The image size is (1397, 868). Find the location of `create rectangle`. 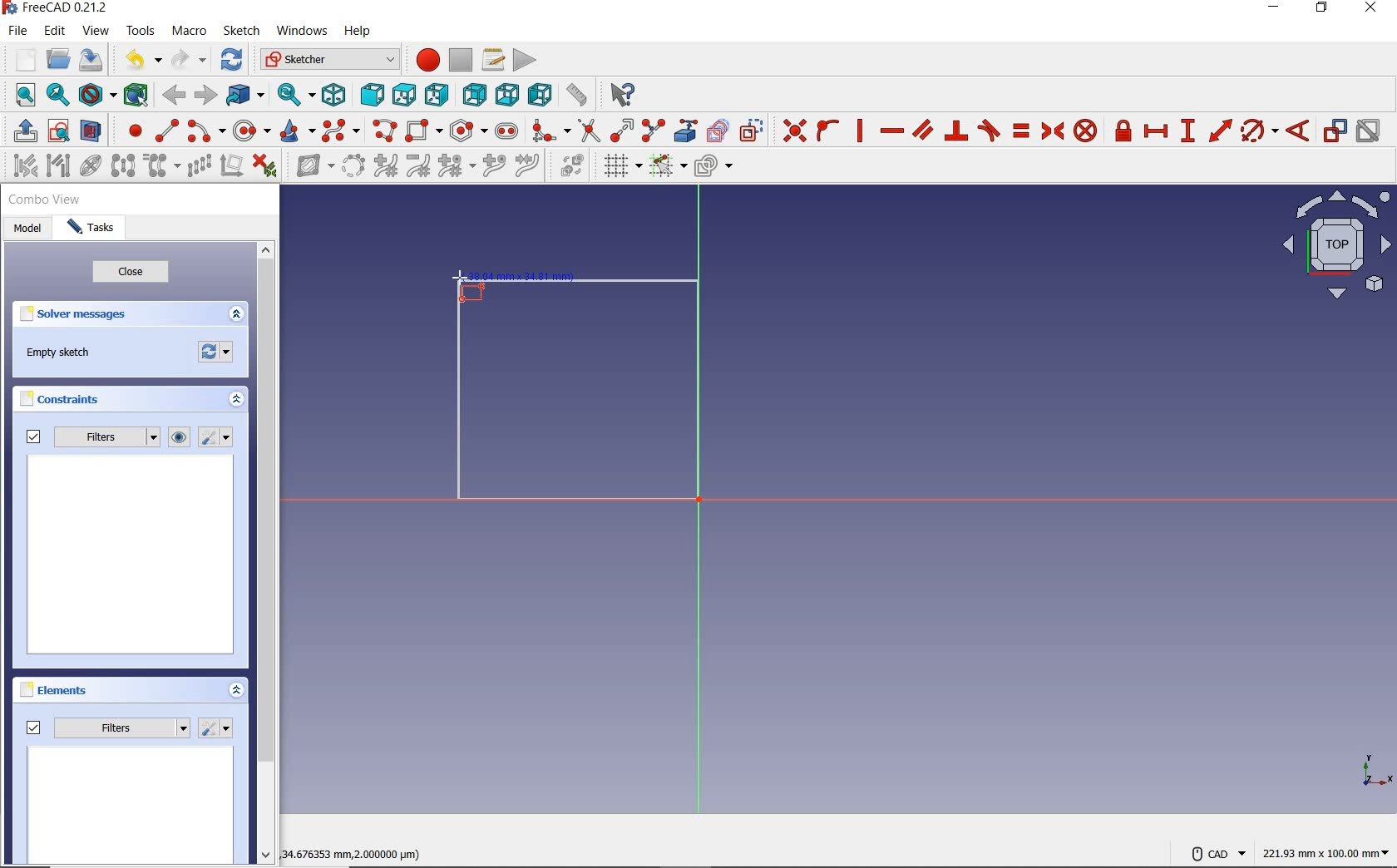

create rectangle is located at coordinates (424, 130).